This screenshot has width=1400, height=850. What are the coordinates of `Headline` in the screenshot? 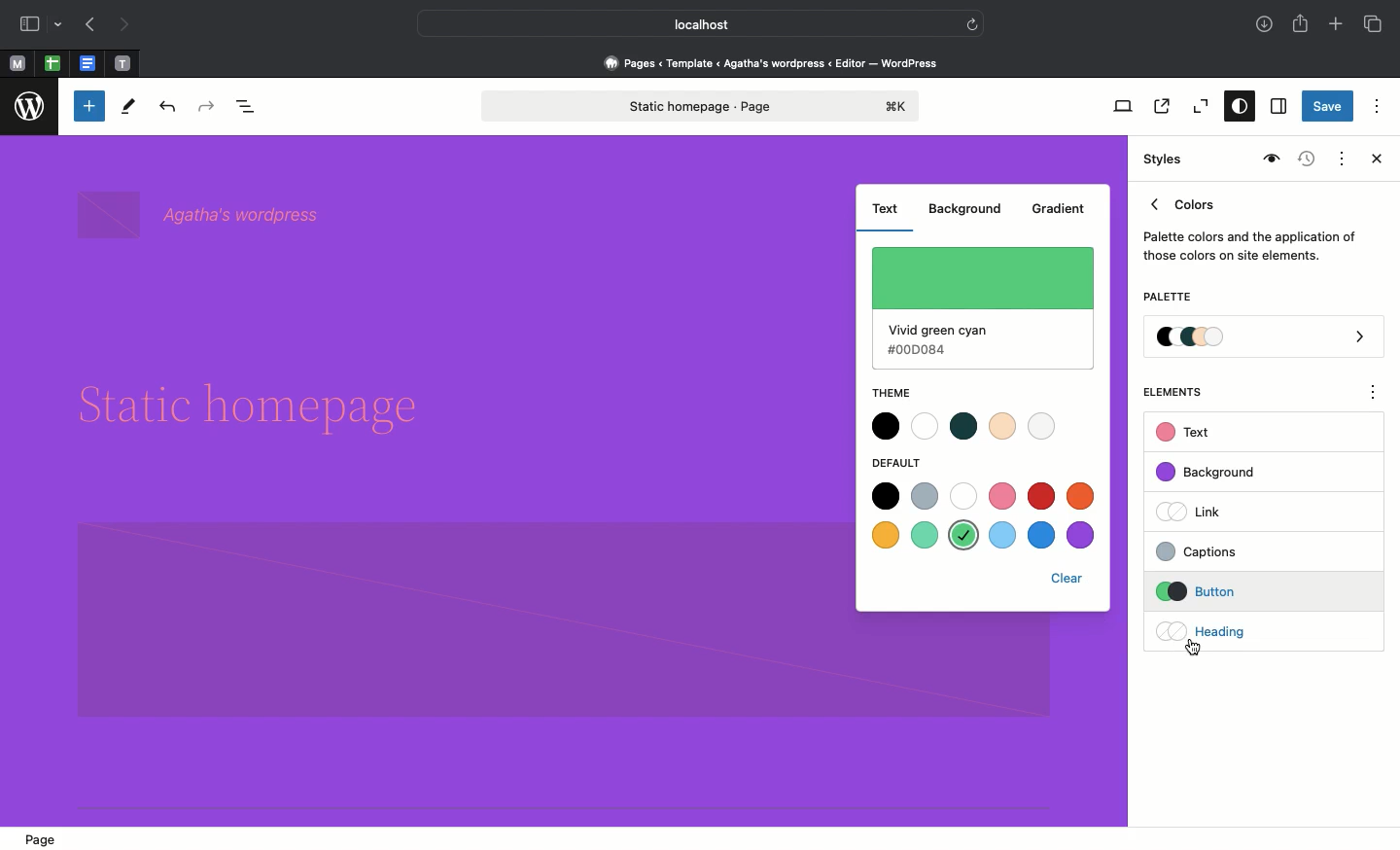 It's located at (264, 408).